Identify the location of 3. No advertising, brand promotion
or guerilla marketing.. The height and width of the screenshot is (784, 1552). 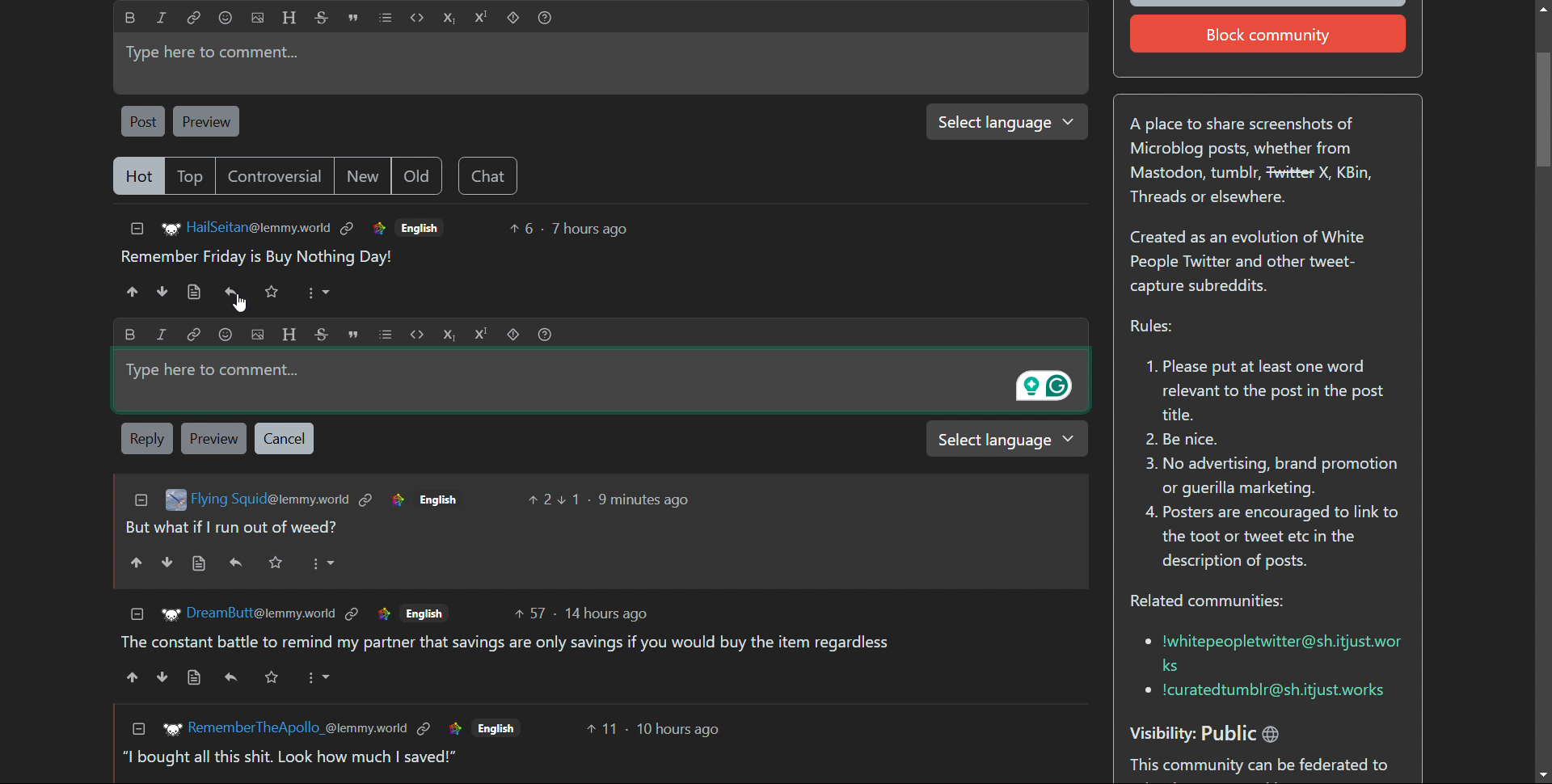
(1269, 476).